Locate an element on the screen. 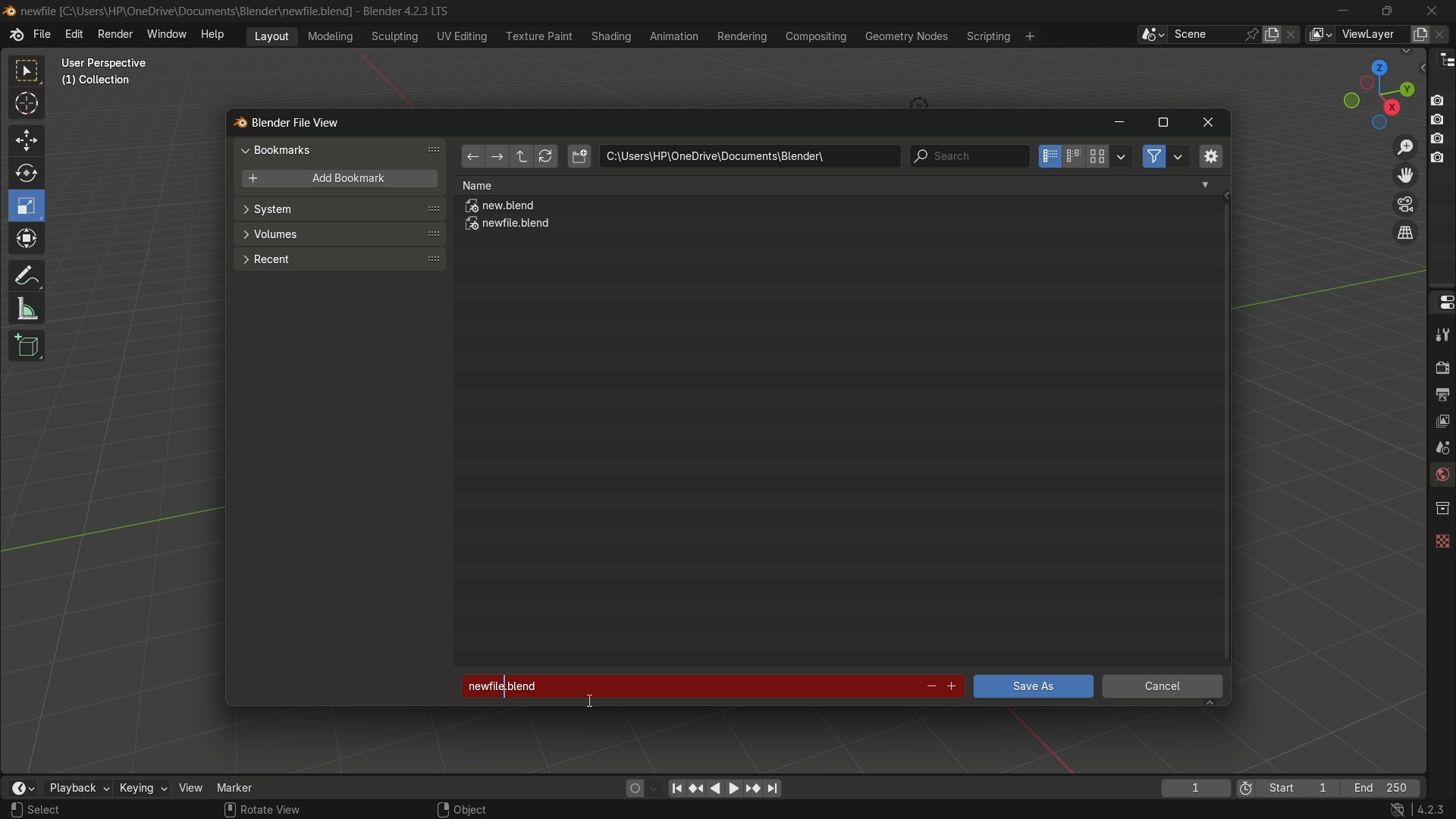  add view layer is located at coordinates (1418, 33).